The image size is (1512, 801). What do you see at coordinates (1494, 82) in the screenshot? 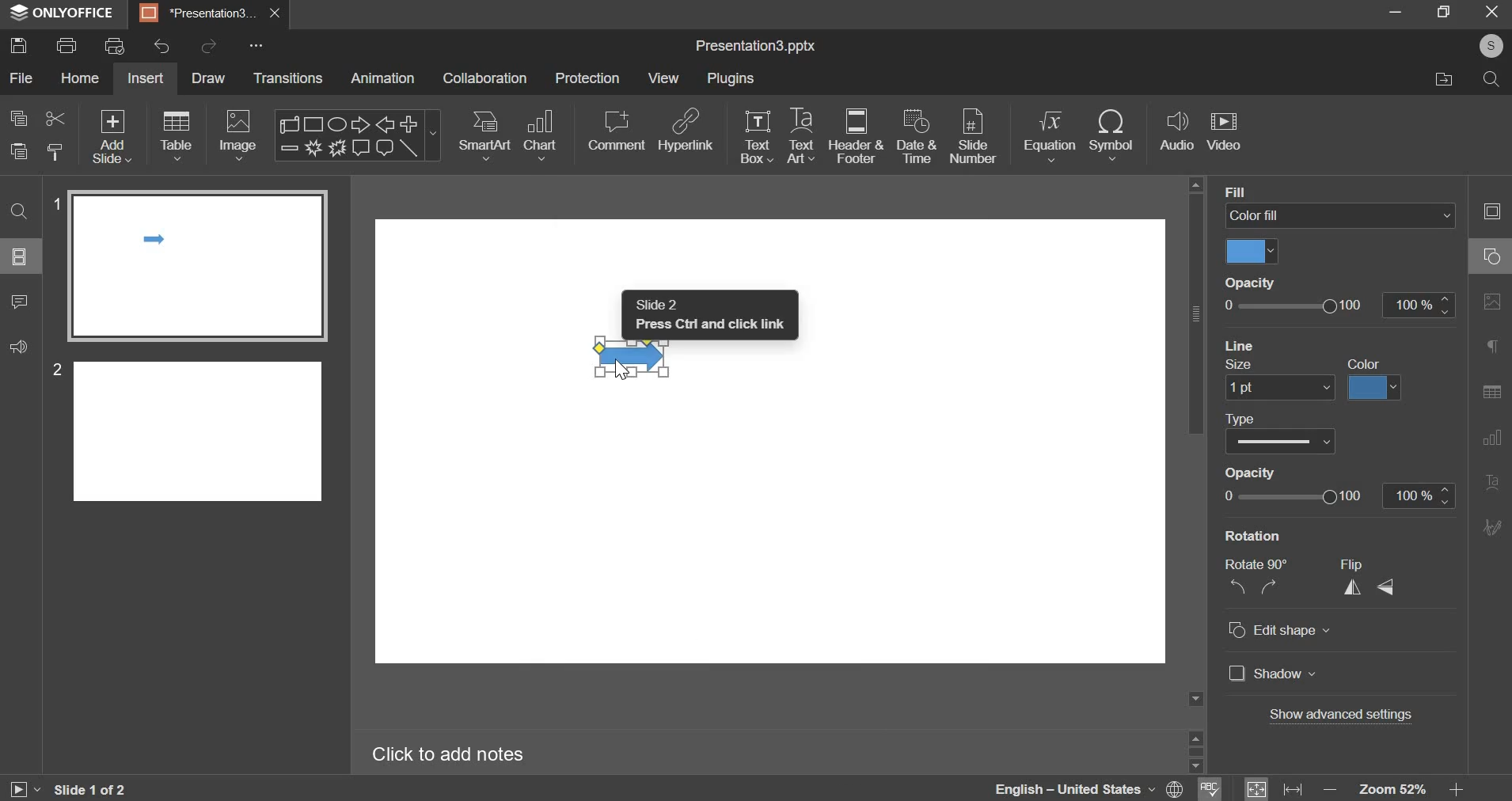
I see `search` at bounding box center [1494, 82].